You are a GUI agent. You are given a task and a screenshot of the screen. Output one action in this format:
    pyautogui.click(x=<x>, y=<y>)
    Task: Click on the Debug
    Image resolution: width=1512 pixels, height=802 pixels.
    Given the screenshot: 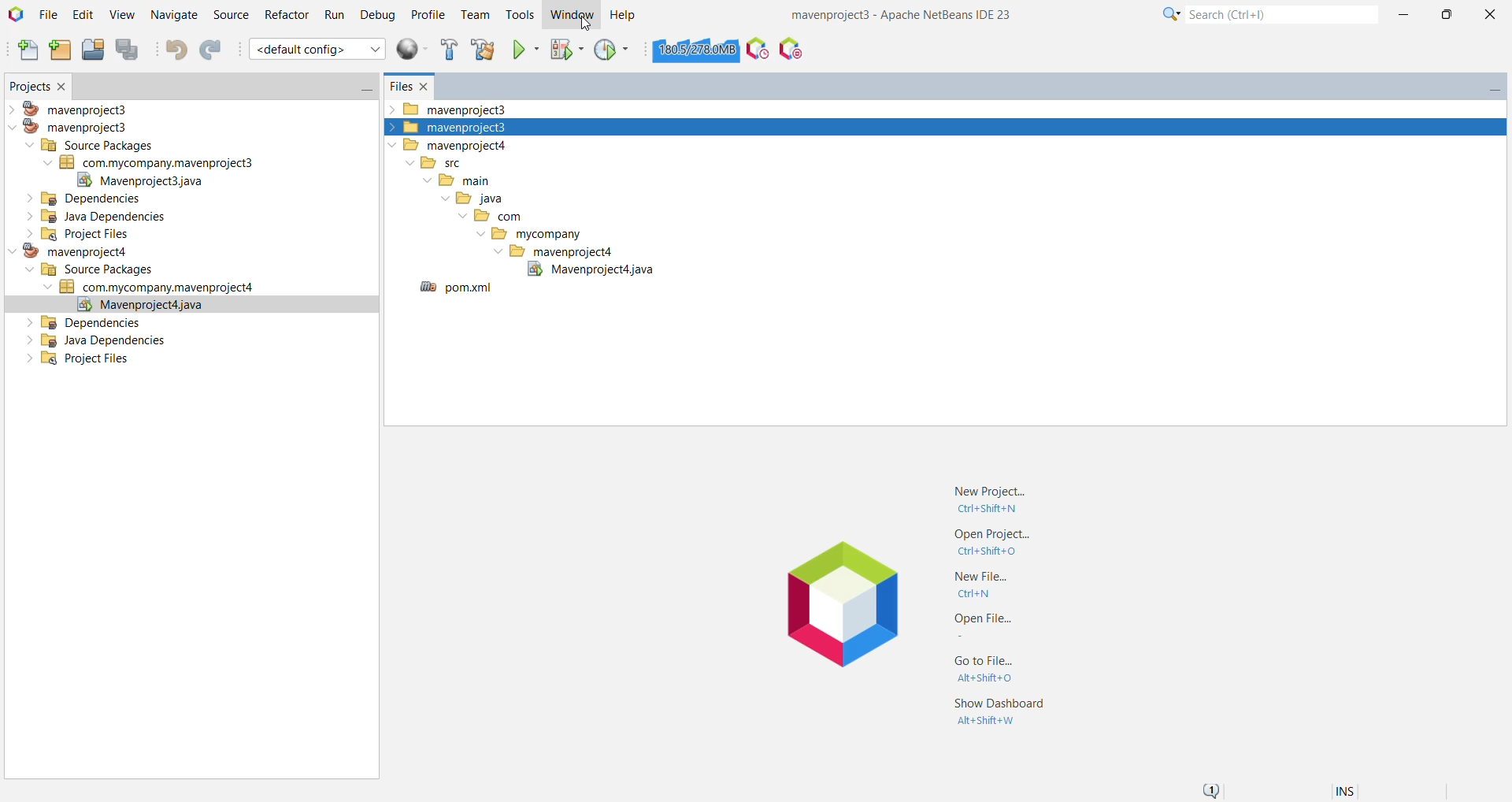 What is the action you would take?
    pyautogui.click(x=377, y=16)
    